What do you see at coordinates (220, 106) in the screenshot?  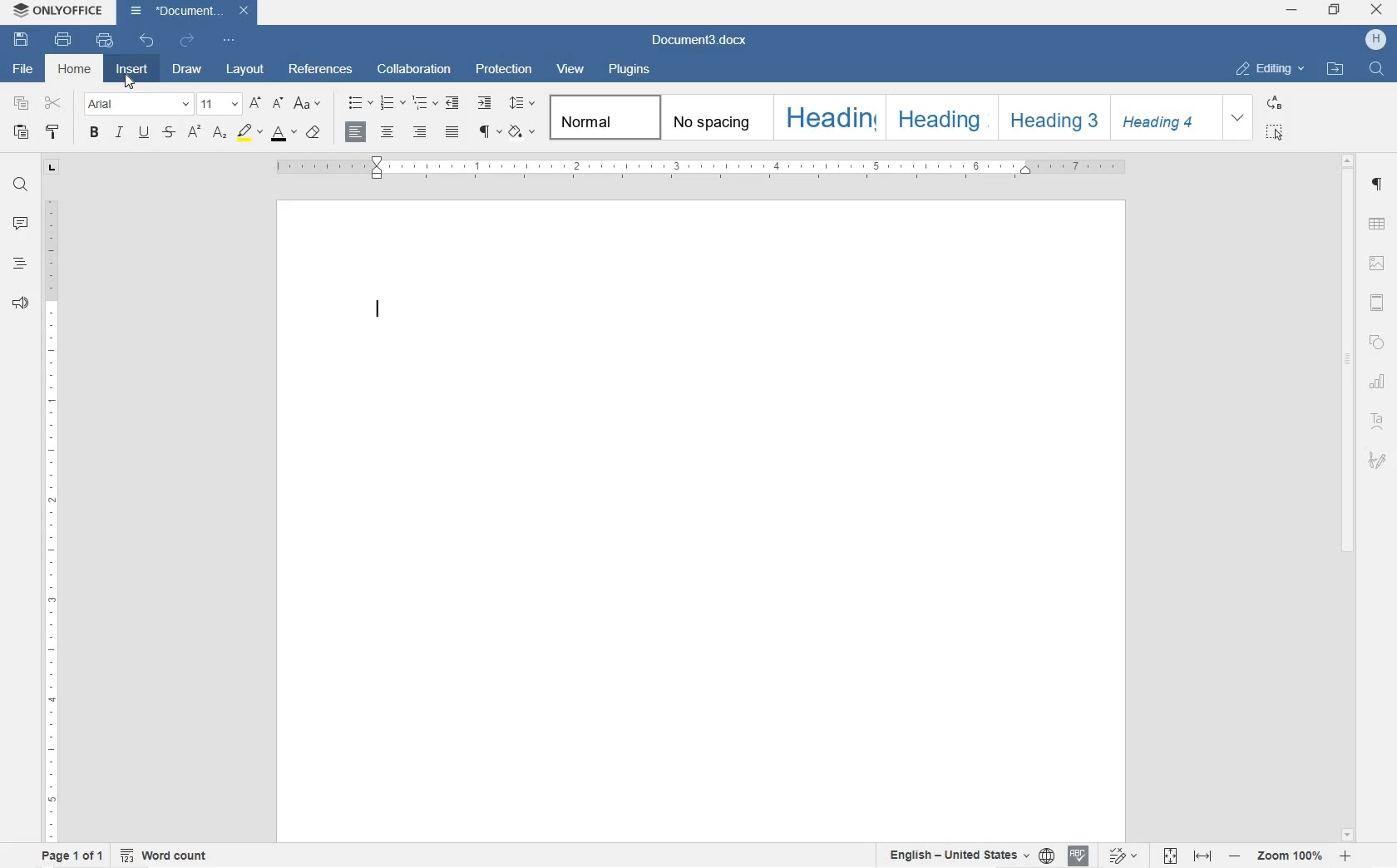 I see `FONT SIZE` at bounding box center [220, 106].